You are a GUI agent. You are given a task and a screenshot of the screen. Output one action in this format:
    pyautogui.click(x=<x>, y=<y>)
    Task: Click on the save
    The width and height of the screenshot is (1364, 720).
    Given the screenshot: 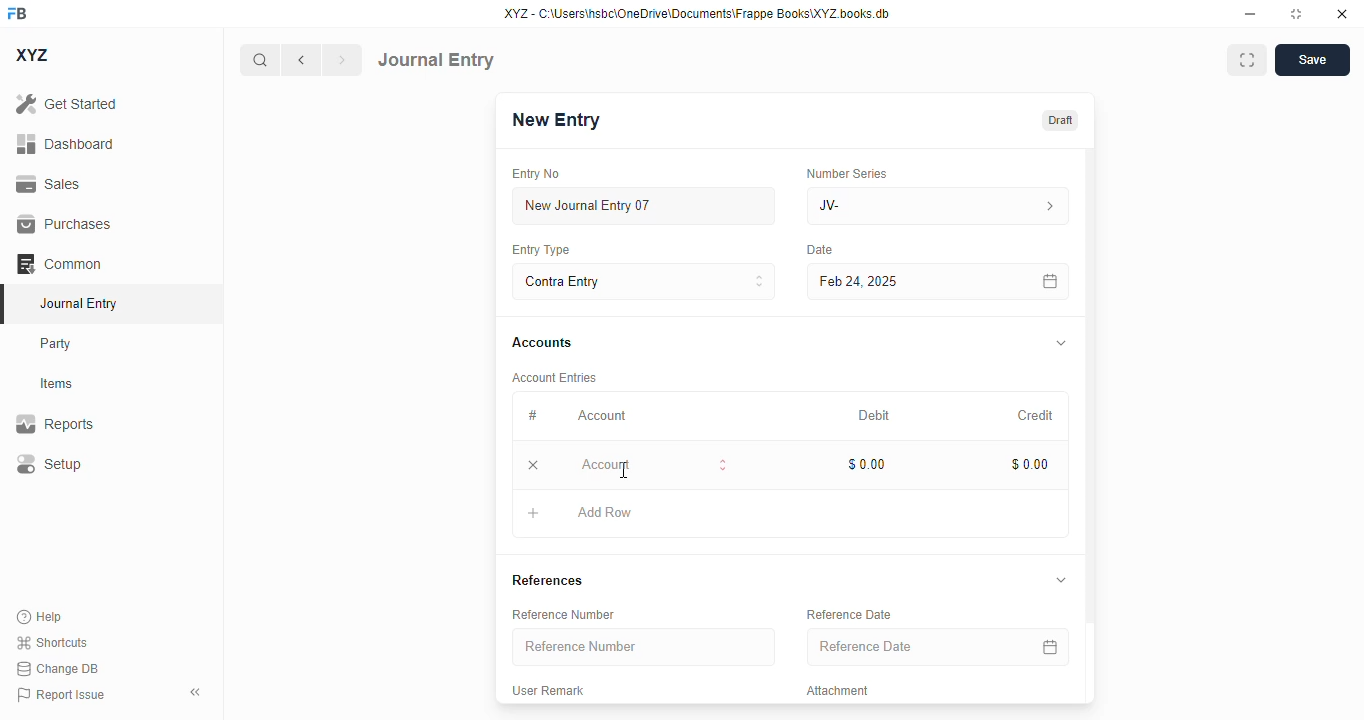 What is the action you would take?
    pyautogui.click(x=1312, y=60)
    